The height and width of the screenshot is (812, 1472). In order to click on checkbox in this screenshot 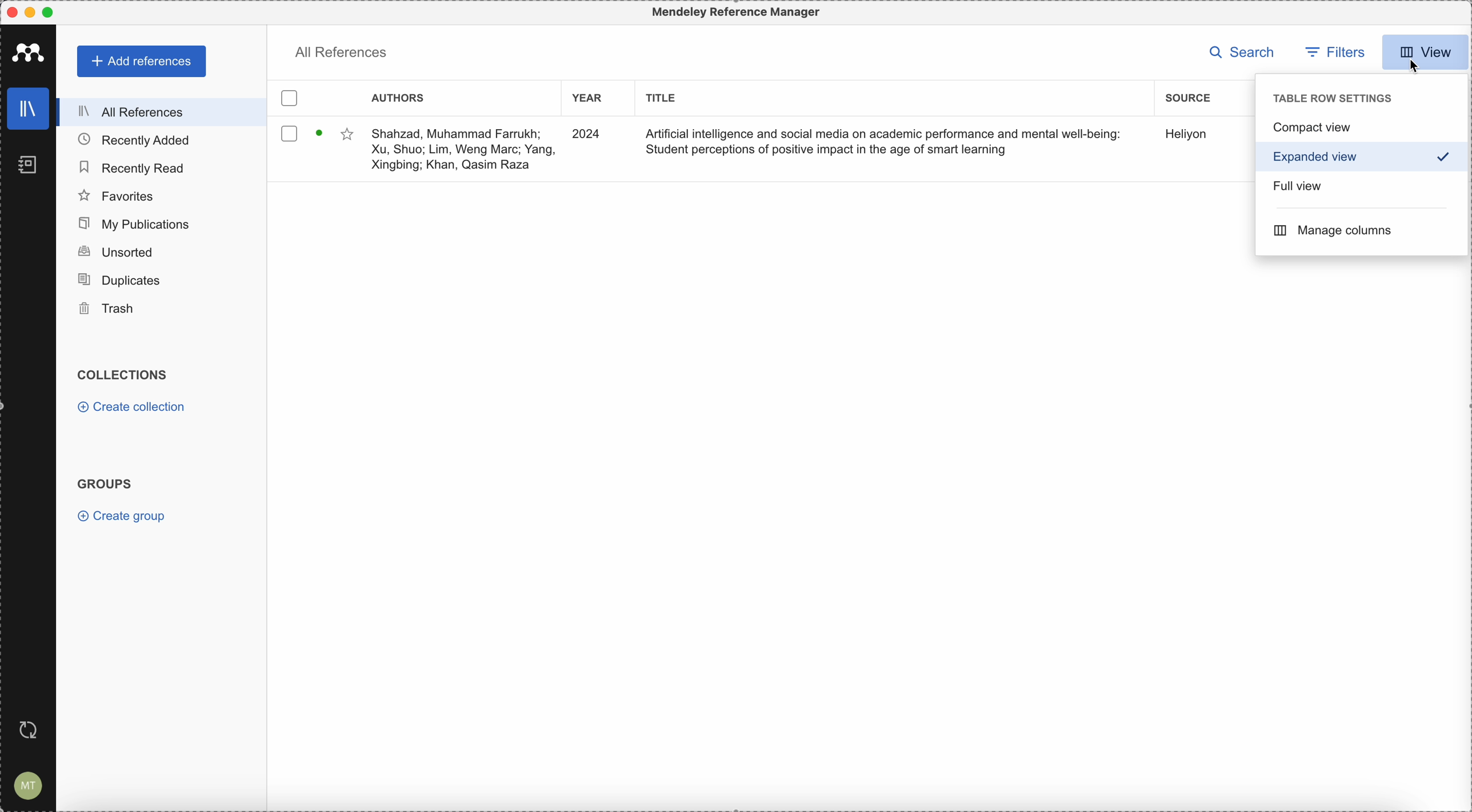, I will do `click(288, 133)`.